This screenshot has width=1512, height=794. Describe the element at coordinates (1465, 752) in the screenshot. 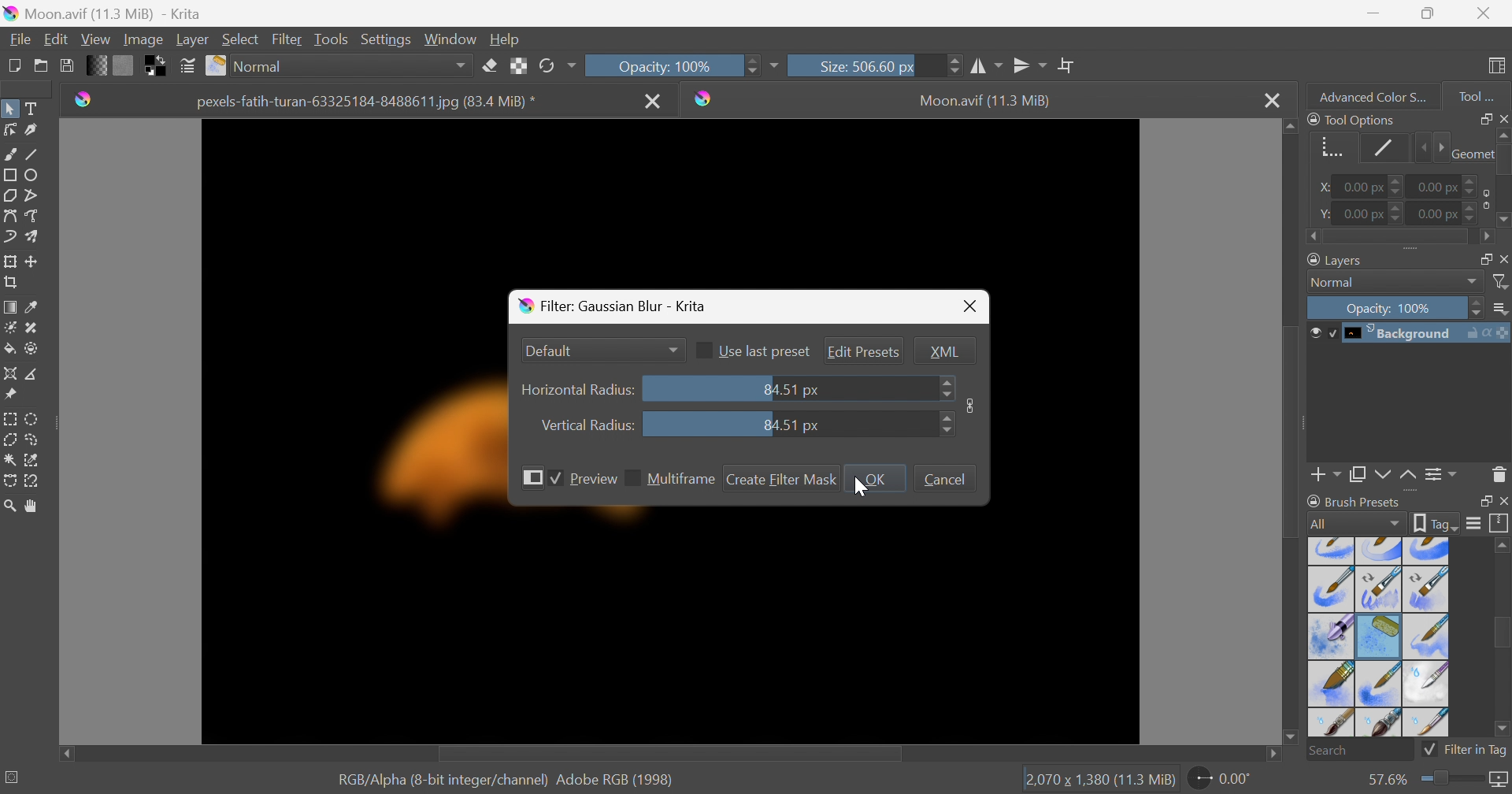

I see `Filter in Tag` at that location.